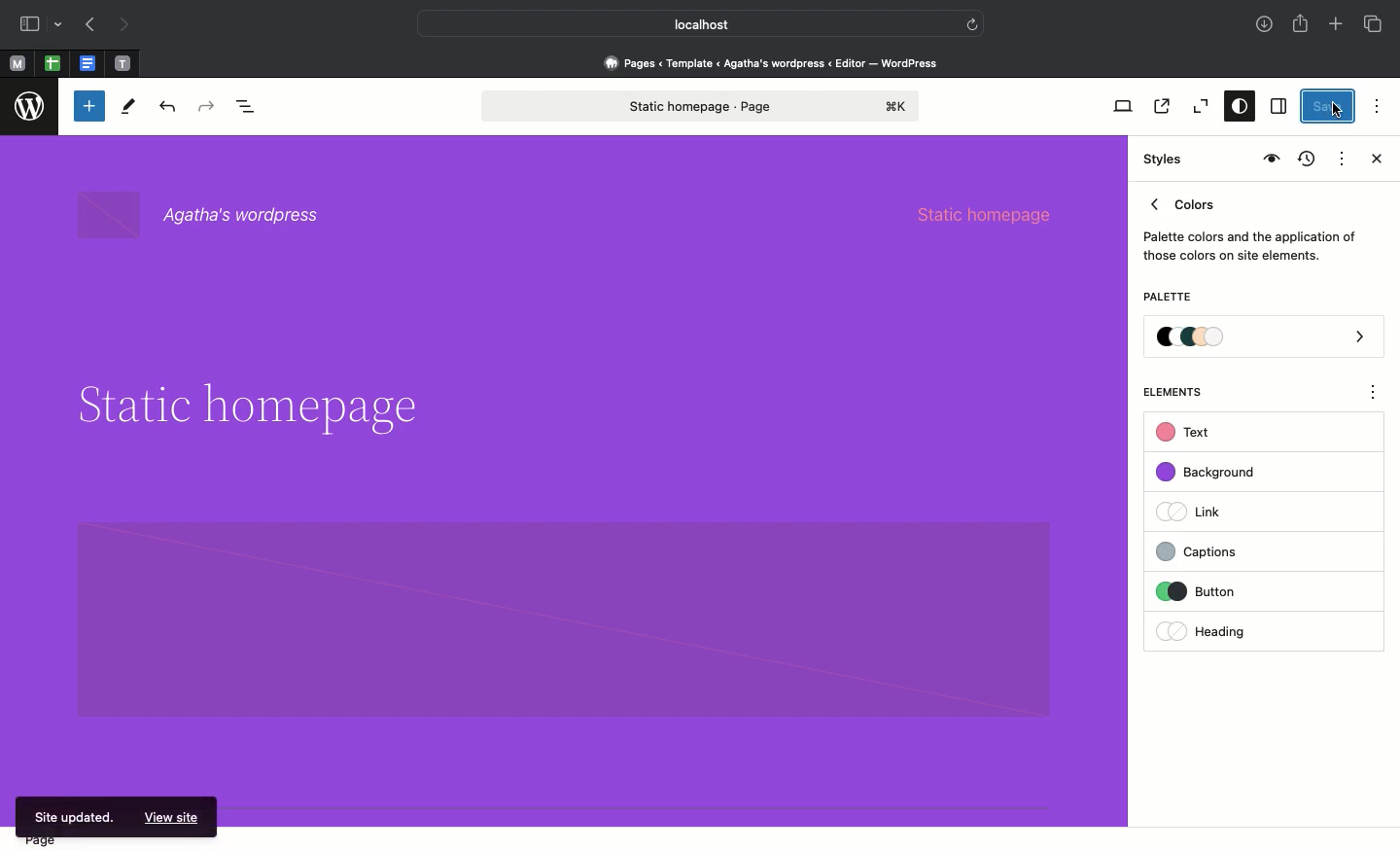 The height and width of the screenshot is (850, 1400). I want to click on Pinned tab, so click(123, 64).